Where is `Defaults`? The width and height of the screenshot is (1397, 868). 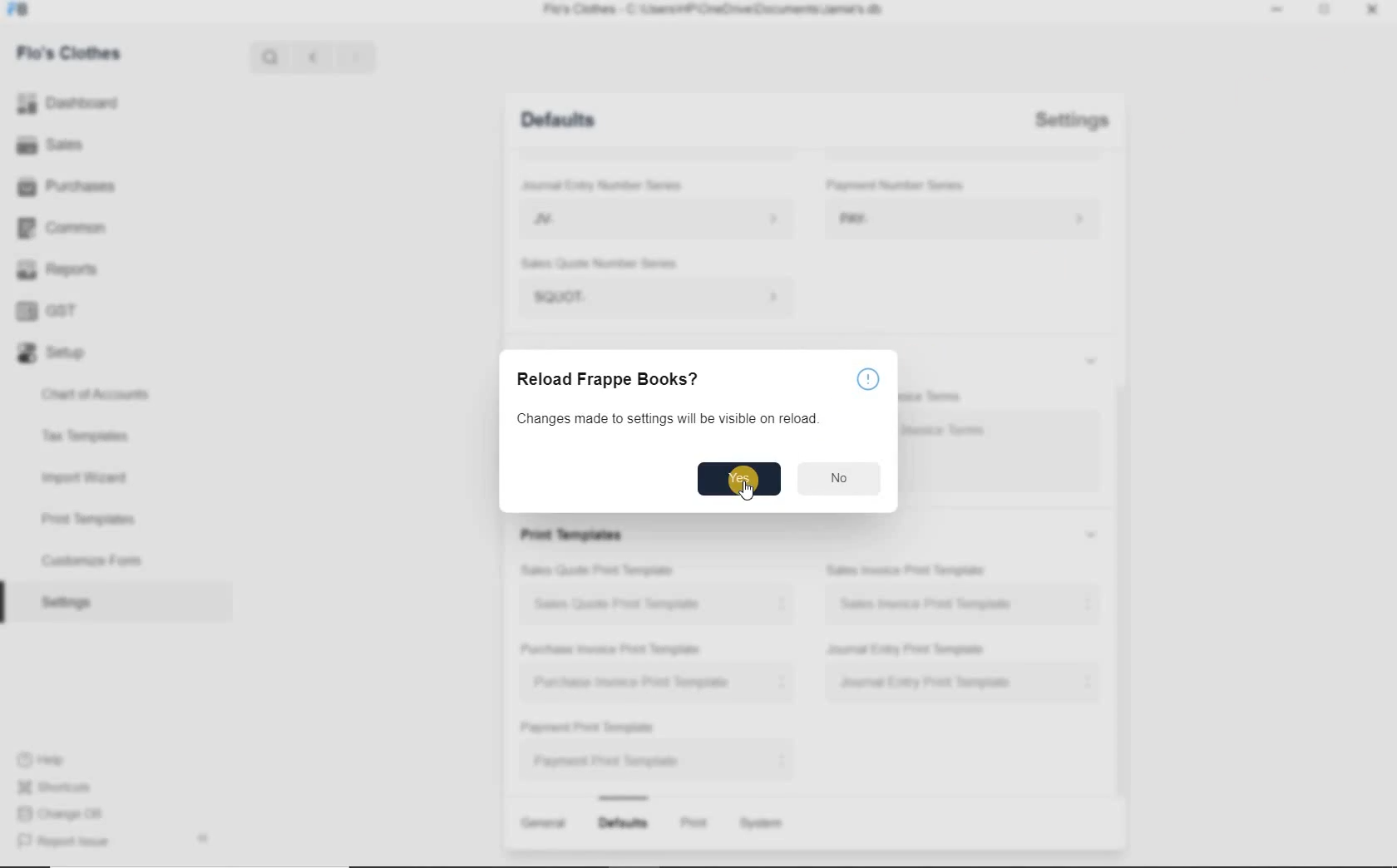 Defaults is located at coordinates (626, 823).